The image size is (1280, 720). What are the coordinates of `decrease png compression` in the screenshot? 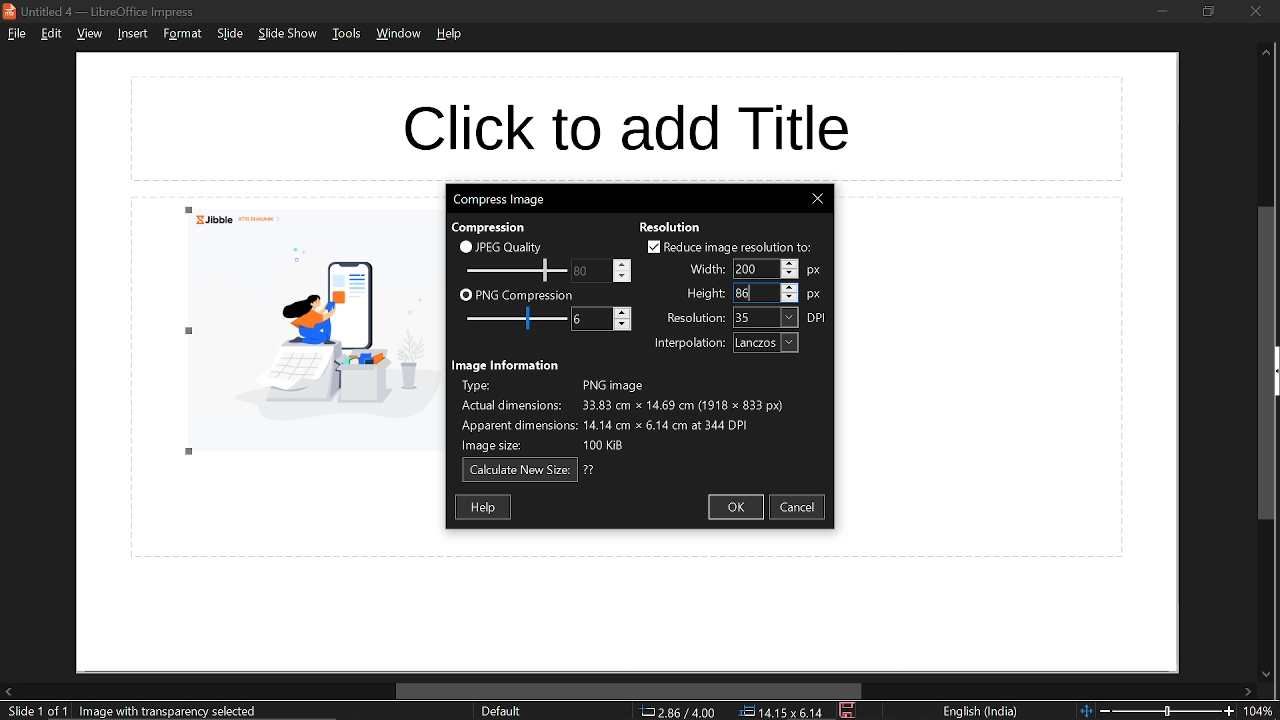 It's located at (622, 326).